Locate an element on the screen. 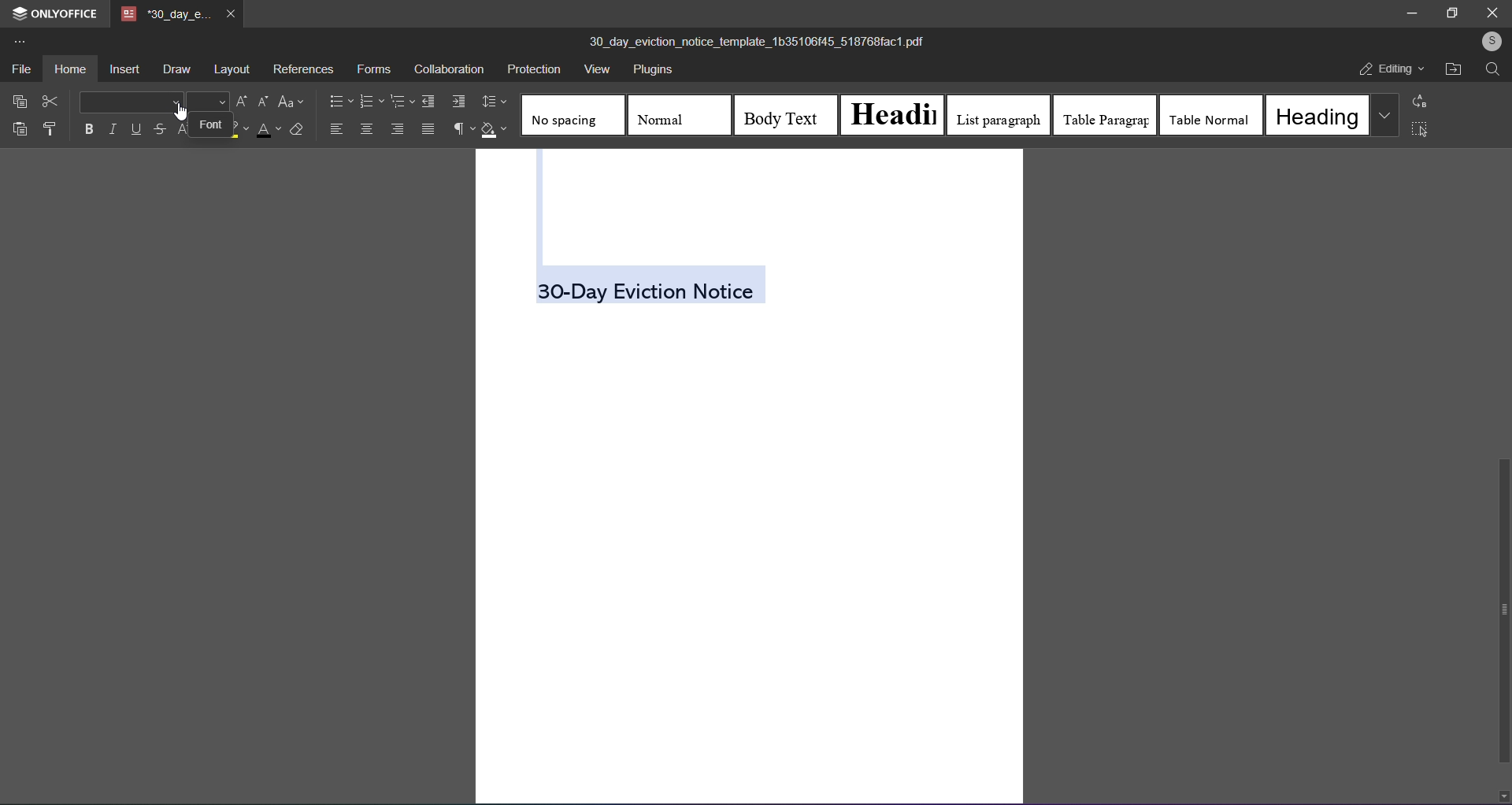  heading is located at coordinates (1316, 115).